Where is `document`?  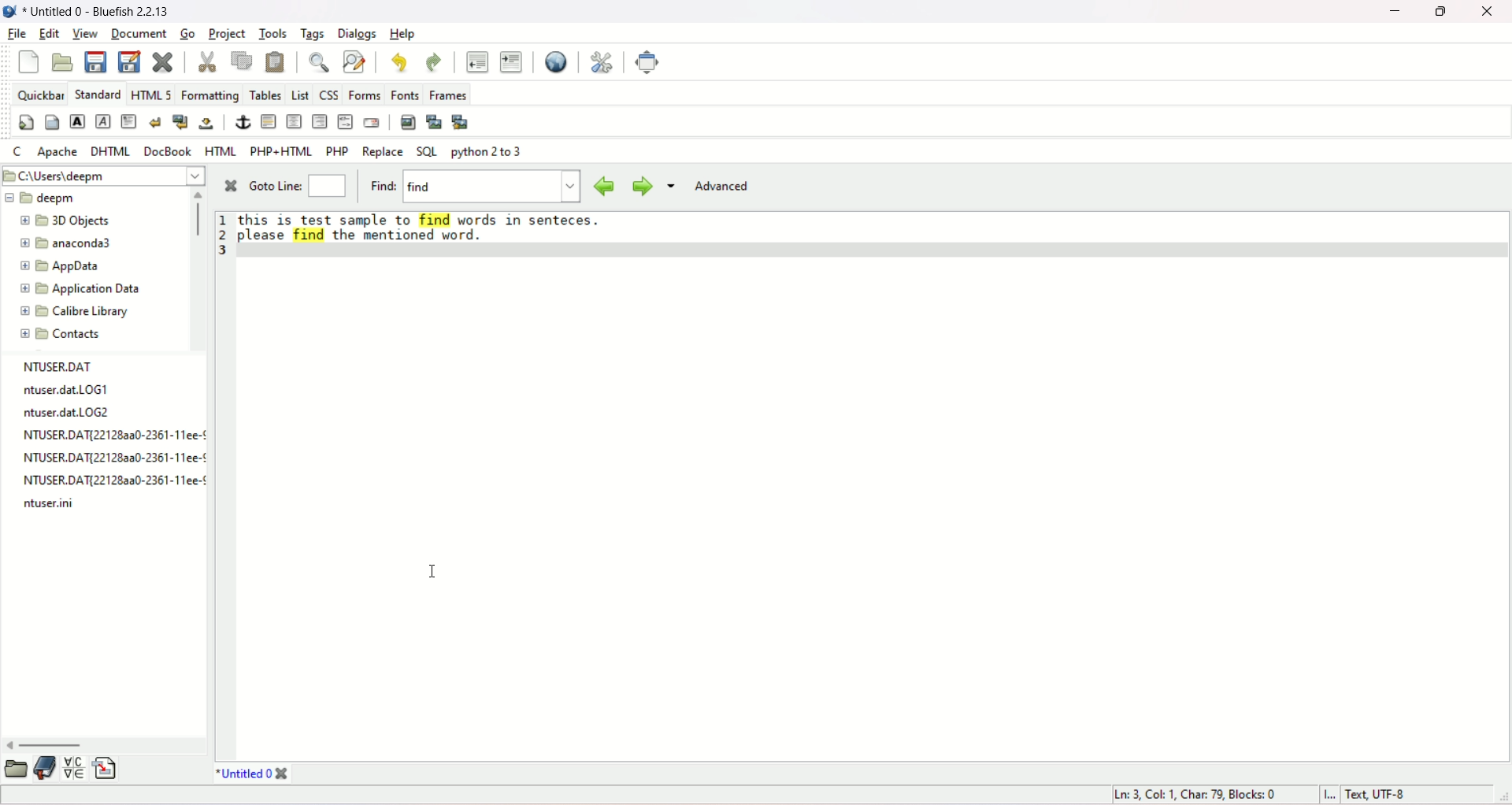 document is located at coordinates (137, 33).